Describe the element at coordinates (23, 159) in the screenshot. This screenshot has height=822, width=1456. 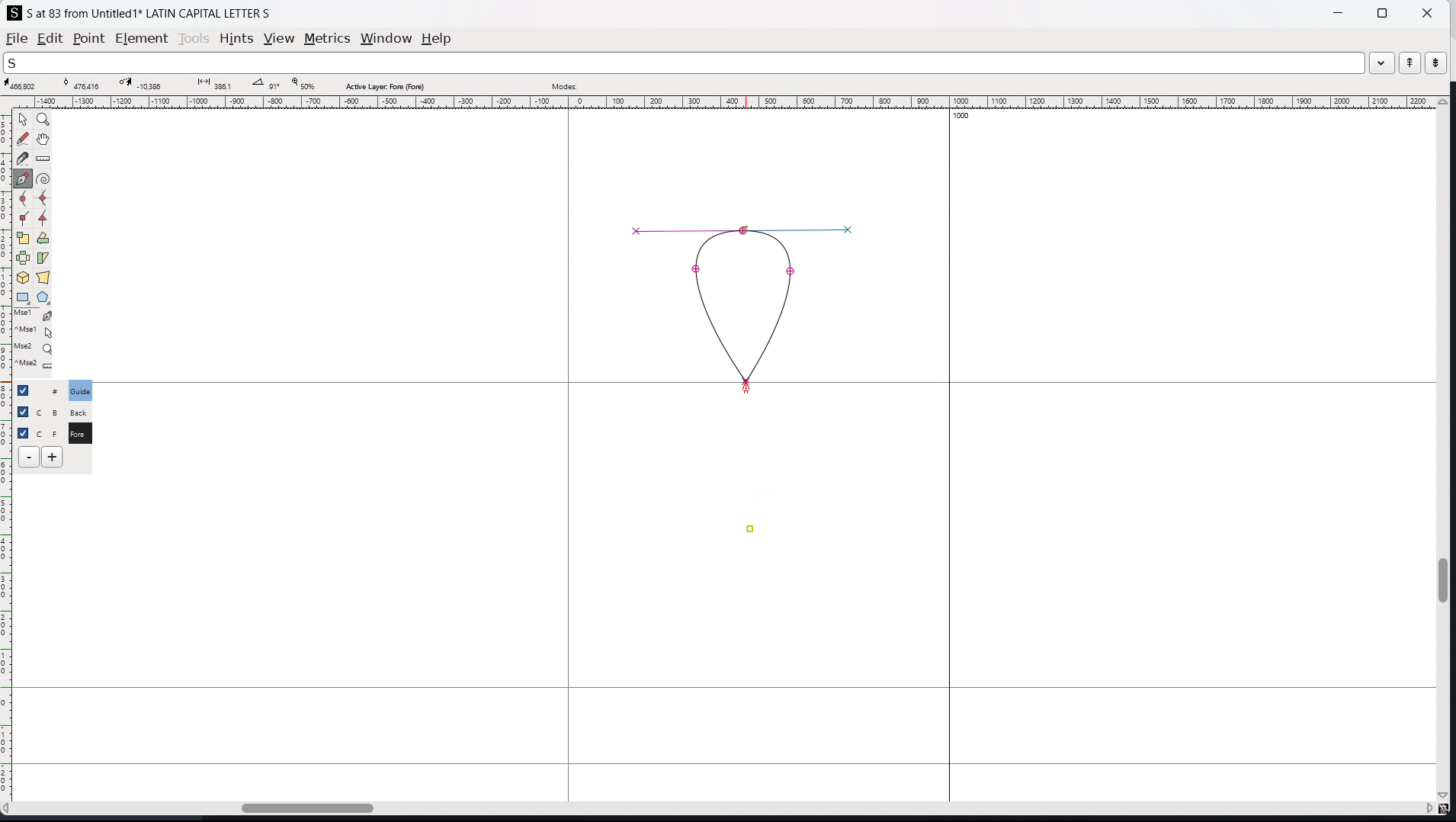
I see `cut splines in two` at that location.